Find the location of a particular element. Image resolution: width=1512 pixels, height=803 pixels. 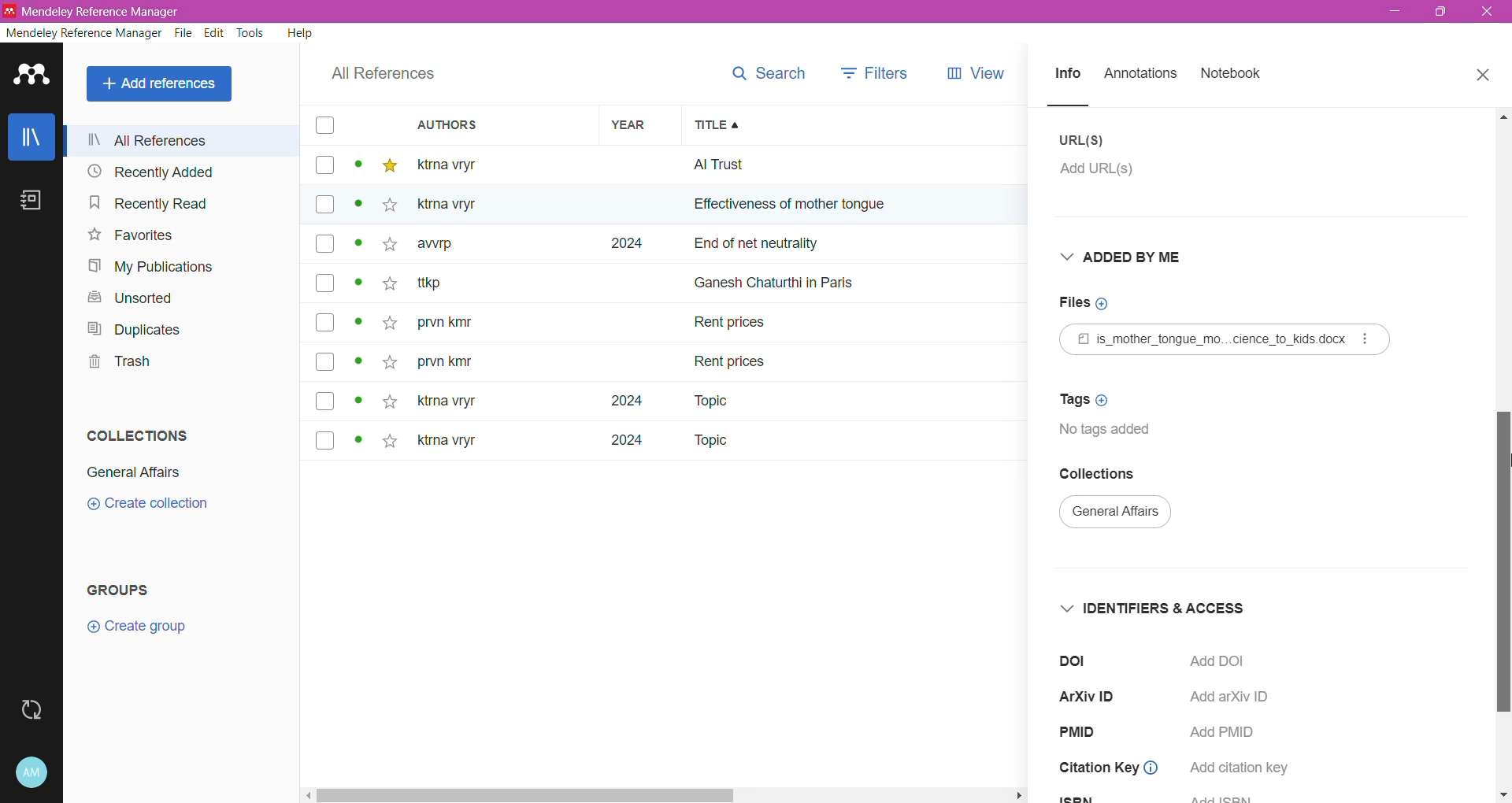

Add PMID is located at coordinates (1229, 732).